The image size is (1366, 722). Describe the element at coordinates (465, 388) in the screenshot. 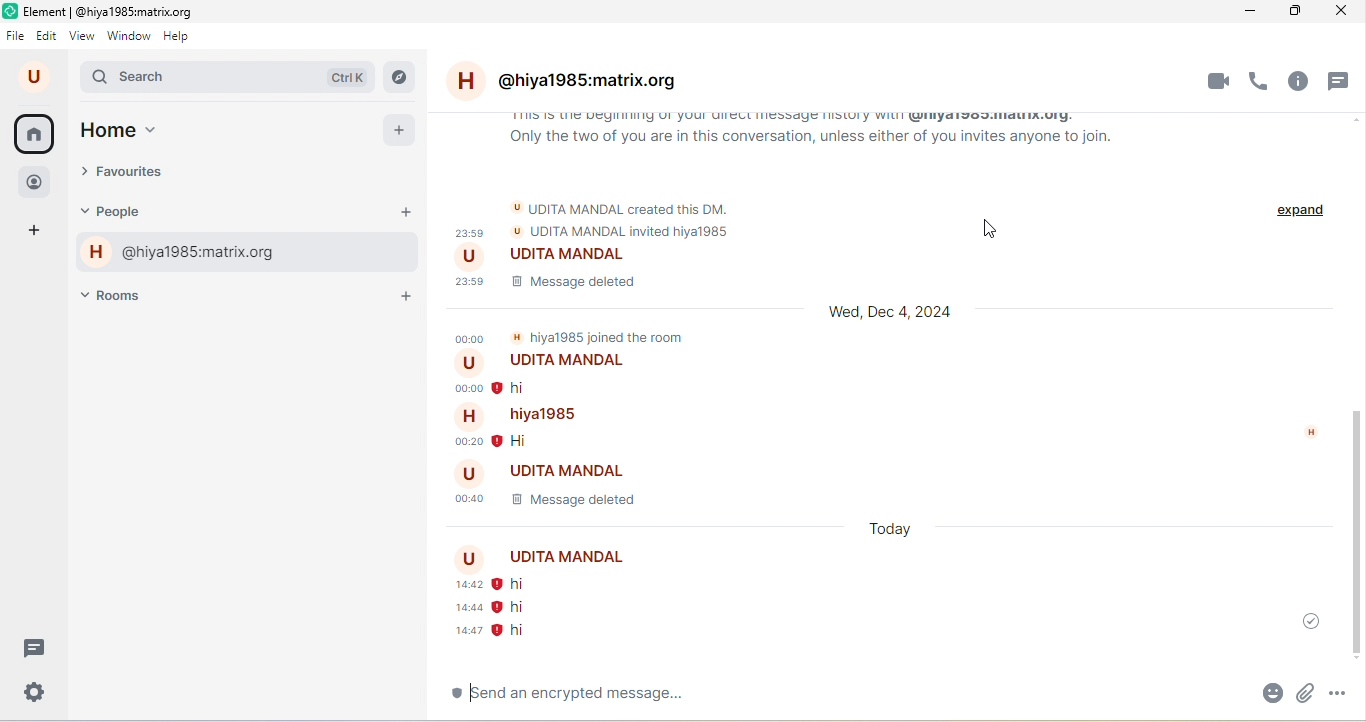

I see `00.00` at that location.